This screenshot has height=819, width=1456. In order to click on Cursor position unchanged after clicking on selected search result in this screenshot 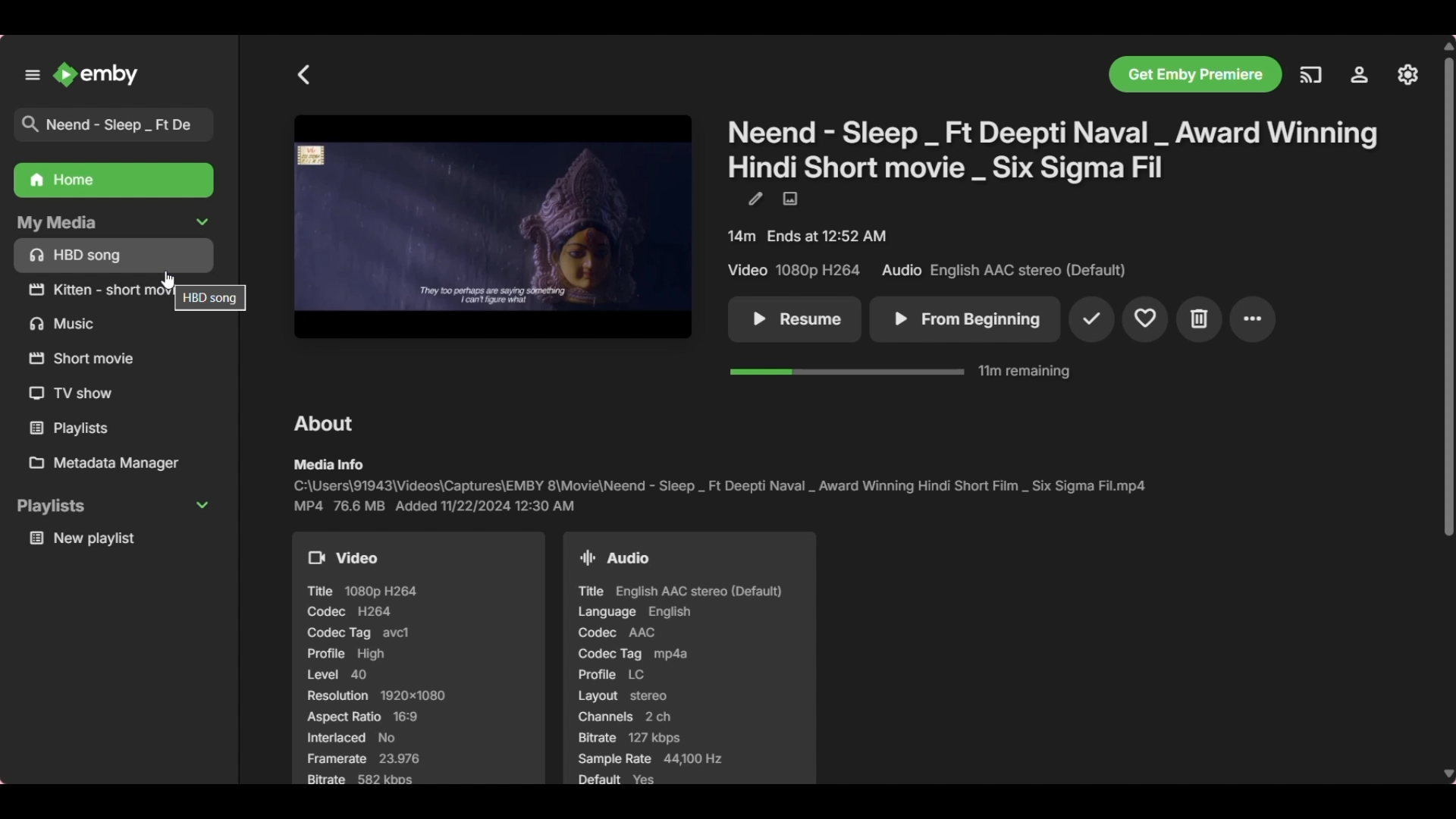, I will do `click(168, 280)`.